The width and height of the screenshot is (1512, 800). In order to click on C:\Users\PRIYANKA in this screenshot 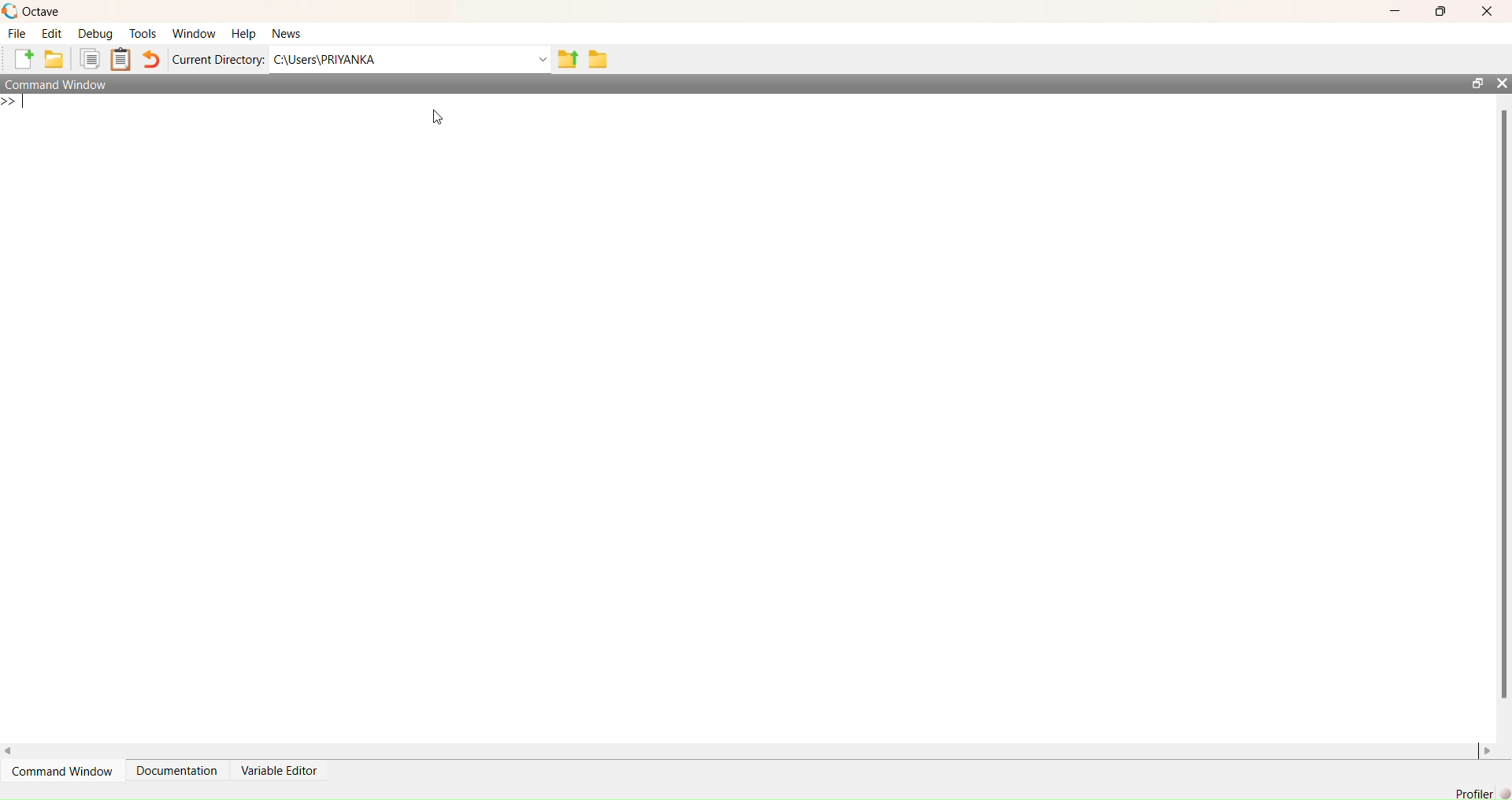, I will do `click(328, 59)`.